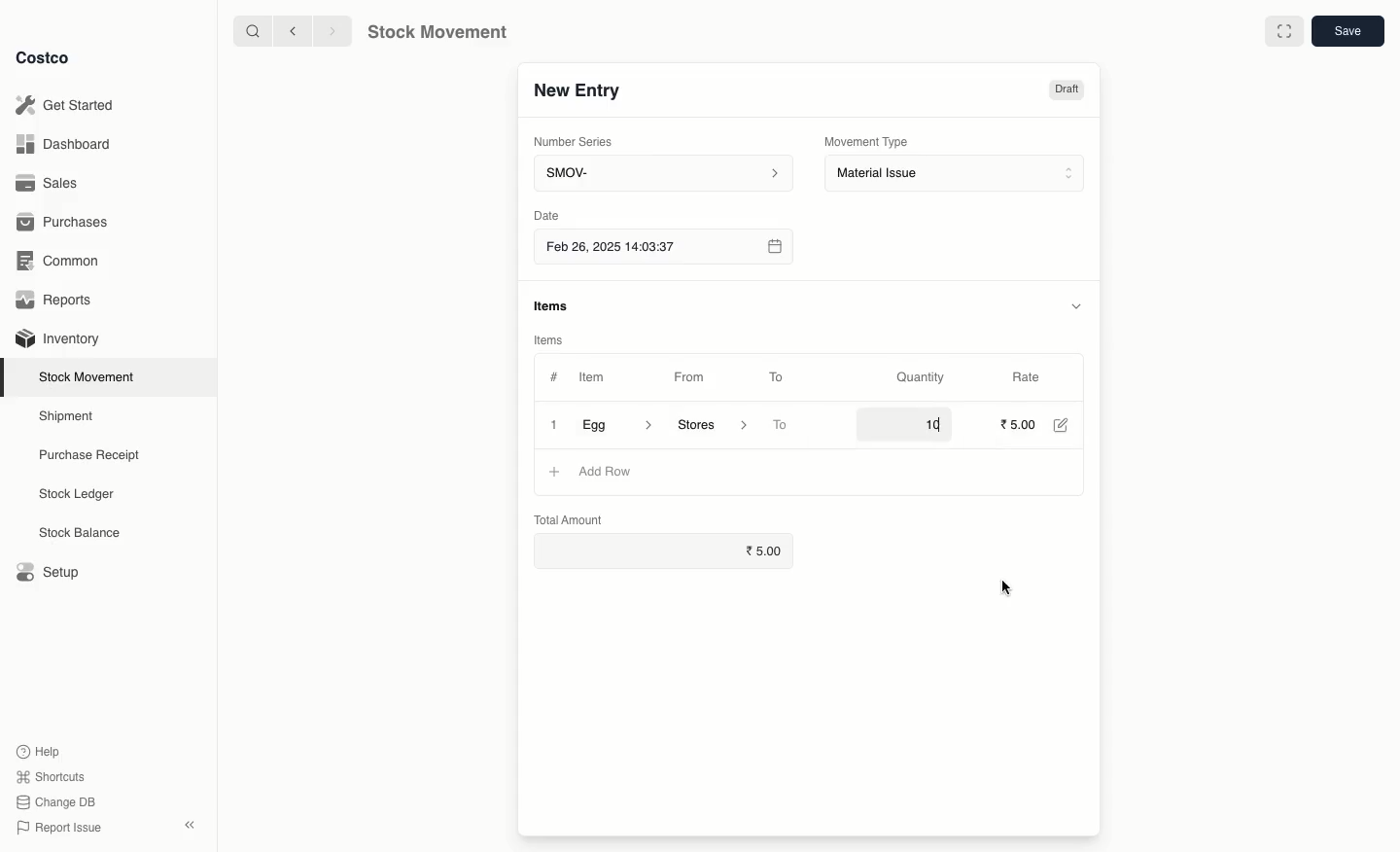 This screenshot has width=1400, height=852. Describe the element at coordinates (56, 802) in the screenshot. I see `Change DB` at that location.